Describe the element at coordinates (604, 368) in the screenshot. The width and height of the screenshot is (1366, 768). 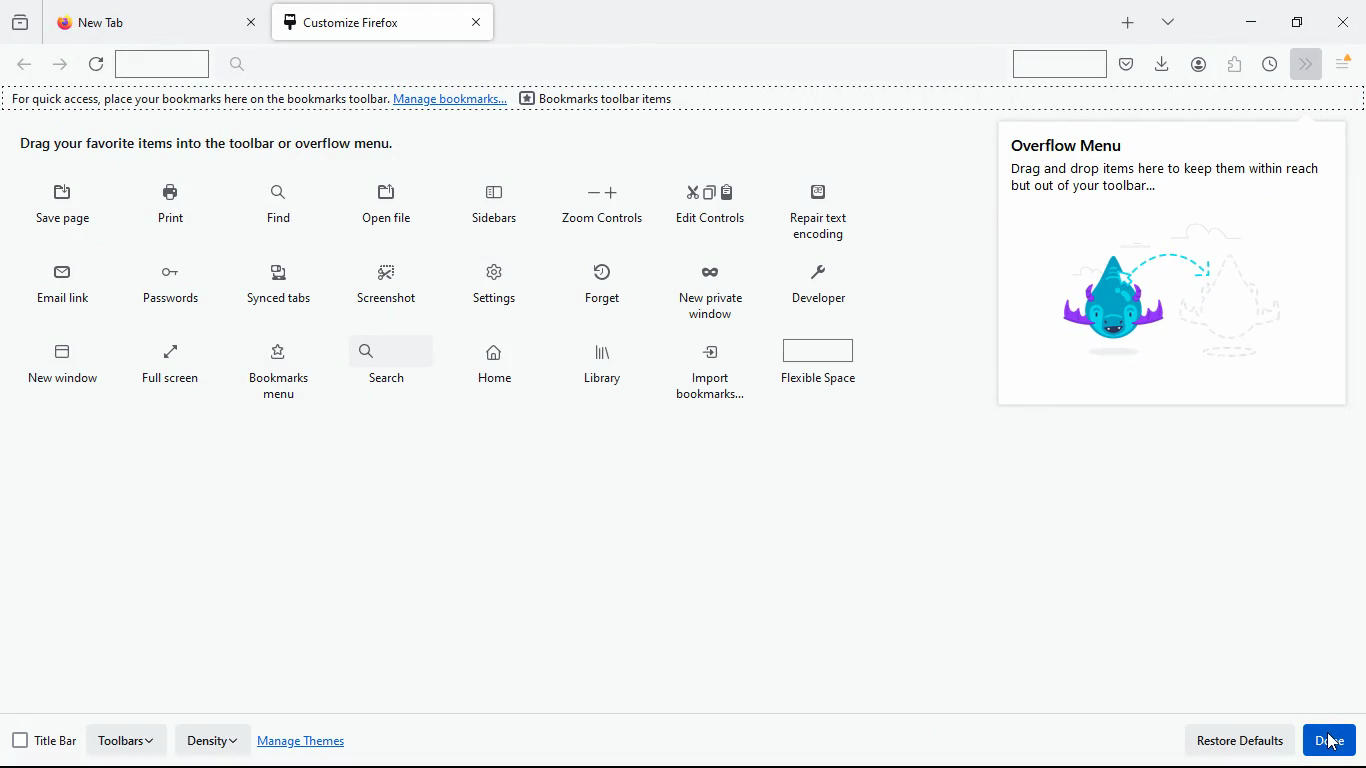
I see `home` at that location.